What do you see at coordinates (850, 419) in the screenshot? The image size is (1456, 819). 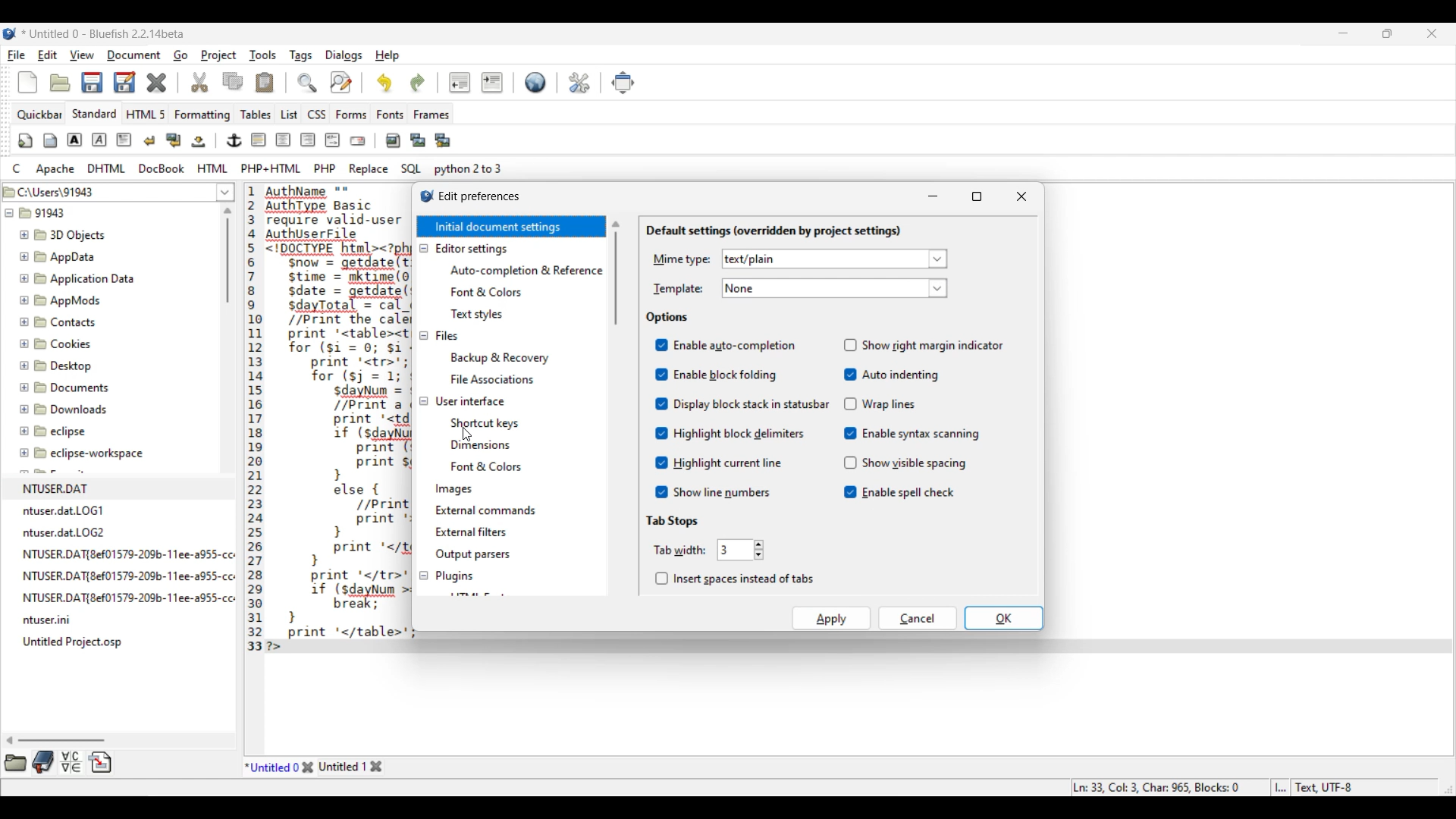 I see `Indicates toggle on/off` at bounding box center [850, 419].